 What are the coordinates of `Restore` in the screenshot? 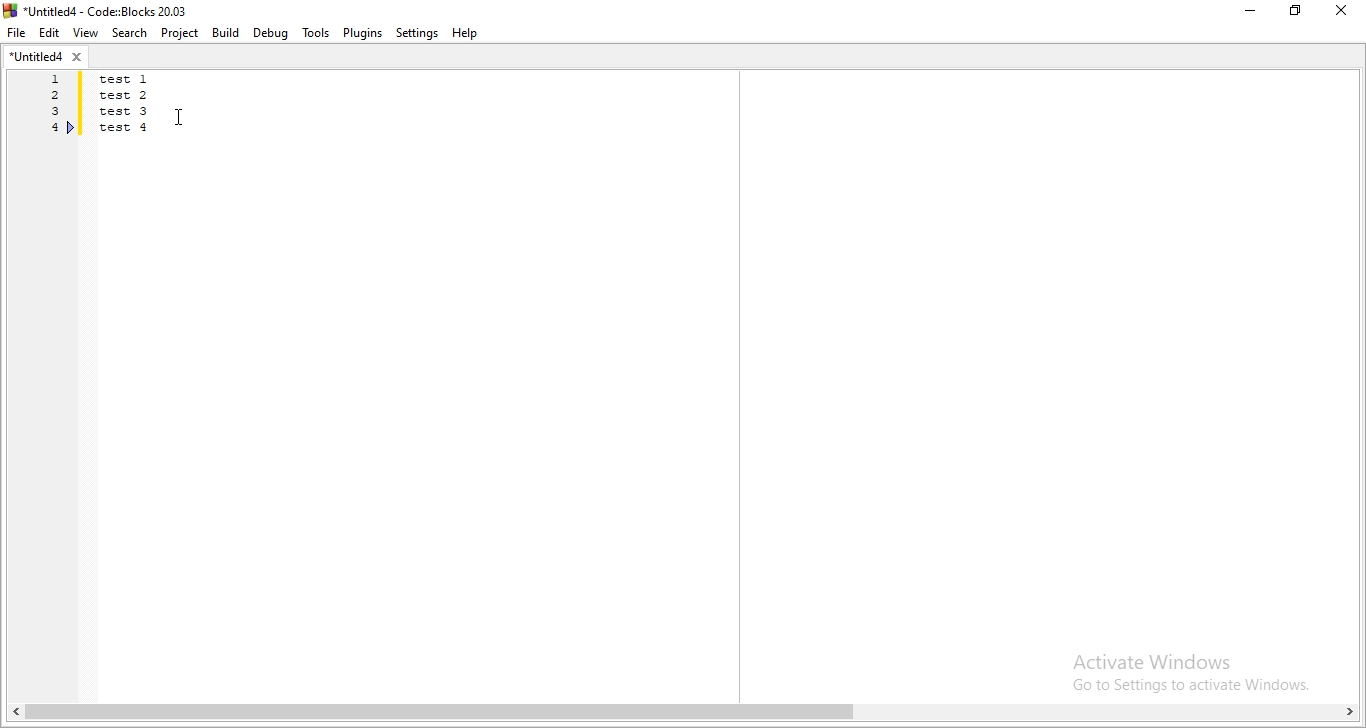 It's located at (1297, 14).